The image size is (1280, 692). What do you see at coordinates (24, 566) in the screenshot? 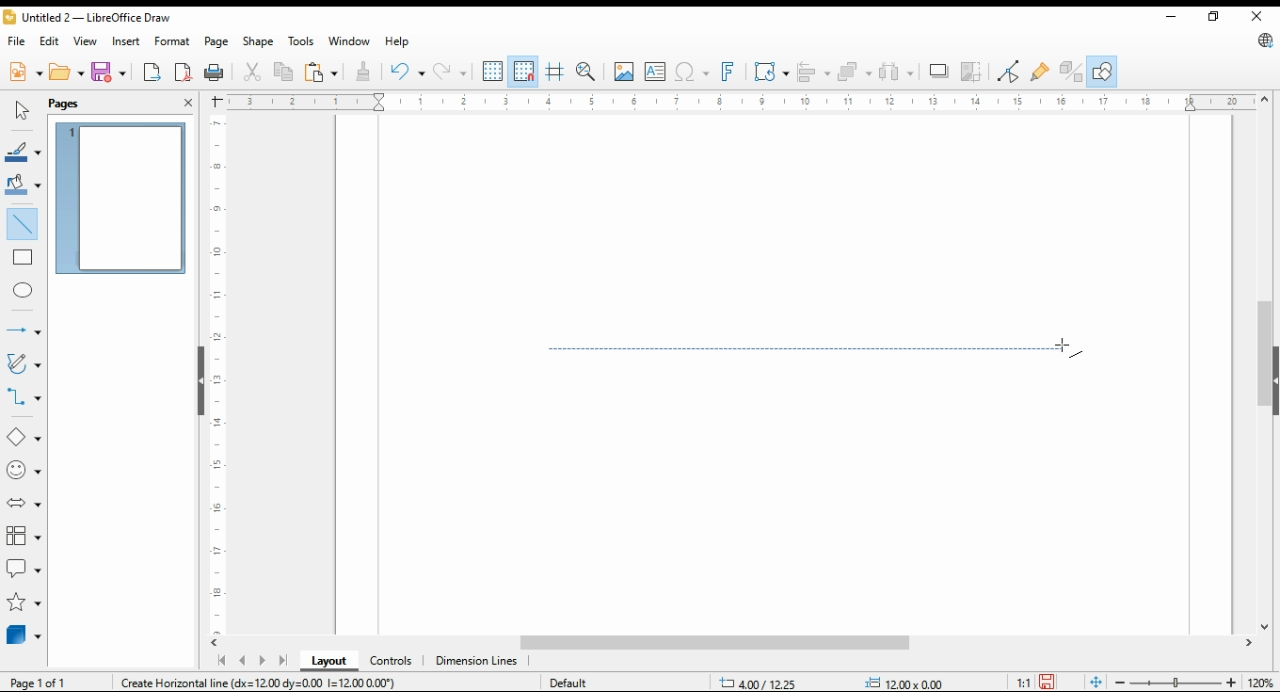
I see `callout shapes` at bounding box center [24, 566].